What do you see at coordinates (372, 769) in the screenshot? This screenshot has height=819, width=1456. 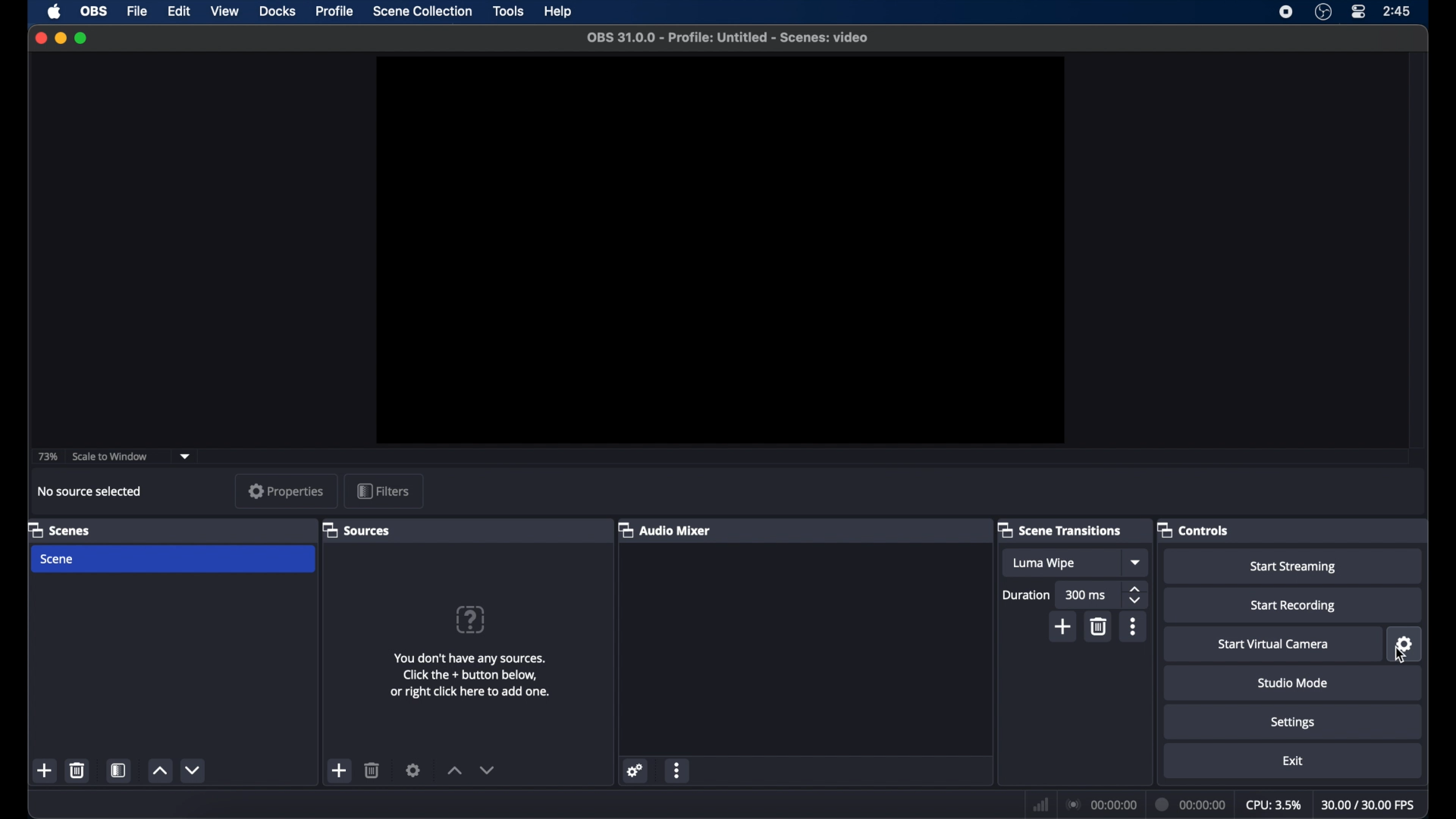 I see `delete` at bounding box center [372, 769].